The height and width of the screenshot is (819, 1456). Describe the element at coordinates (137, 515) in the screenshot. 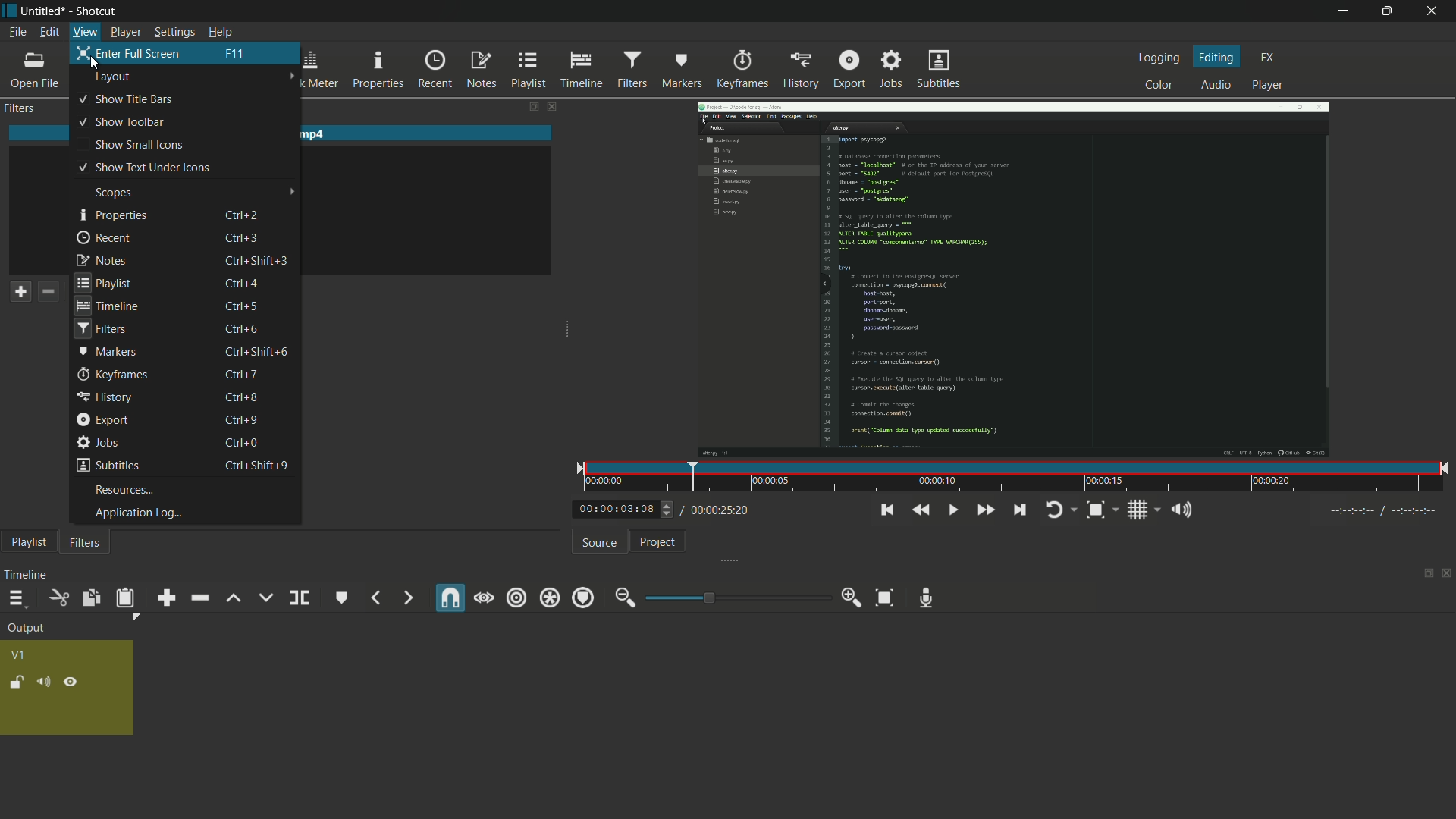

I see `aplication log` at that location.